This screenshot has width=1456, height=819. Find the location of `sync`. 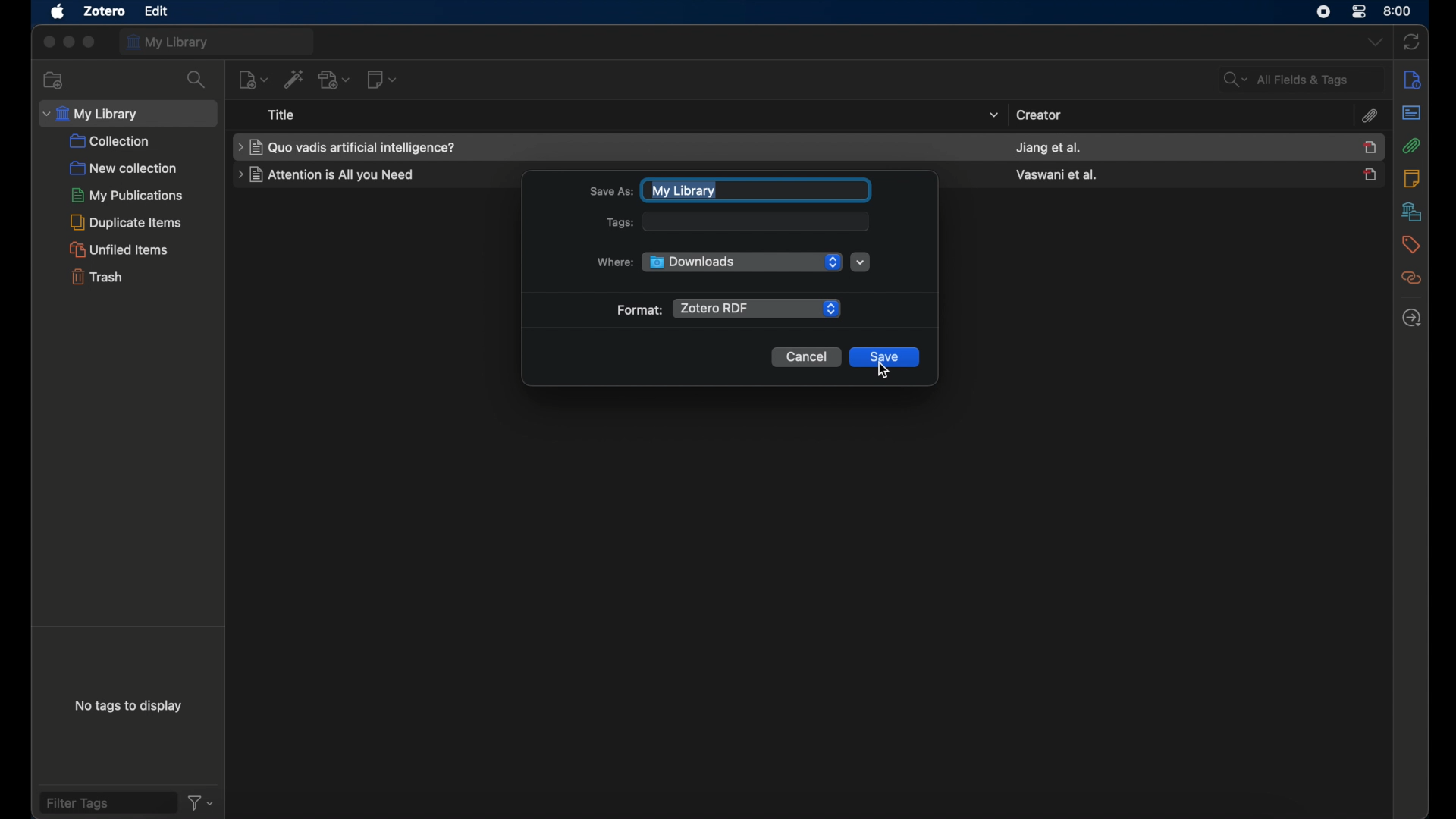

sync is located at coordinates (1412, 40).